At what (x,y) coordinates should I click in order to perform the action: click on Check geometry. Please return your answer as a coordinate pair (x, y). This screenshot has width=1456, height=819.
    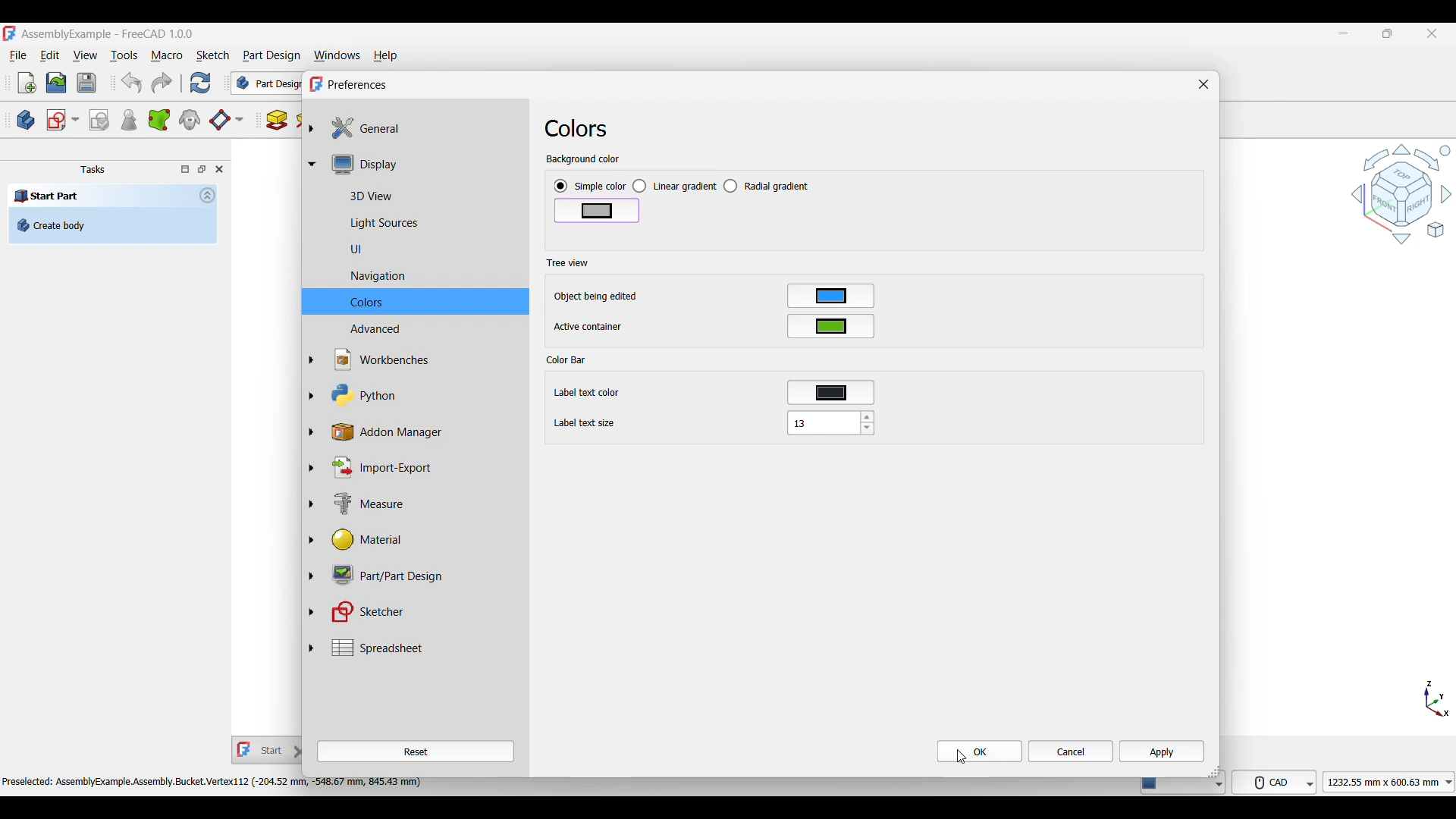
    Looking at the image, I should click on (128, 120).